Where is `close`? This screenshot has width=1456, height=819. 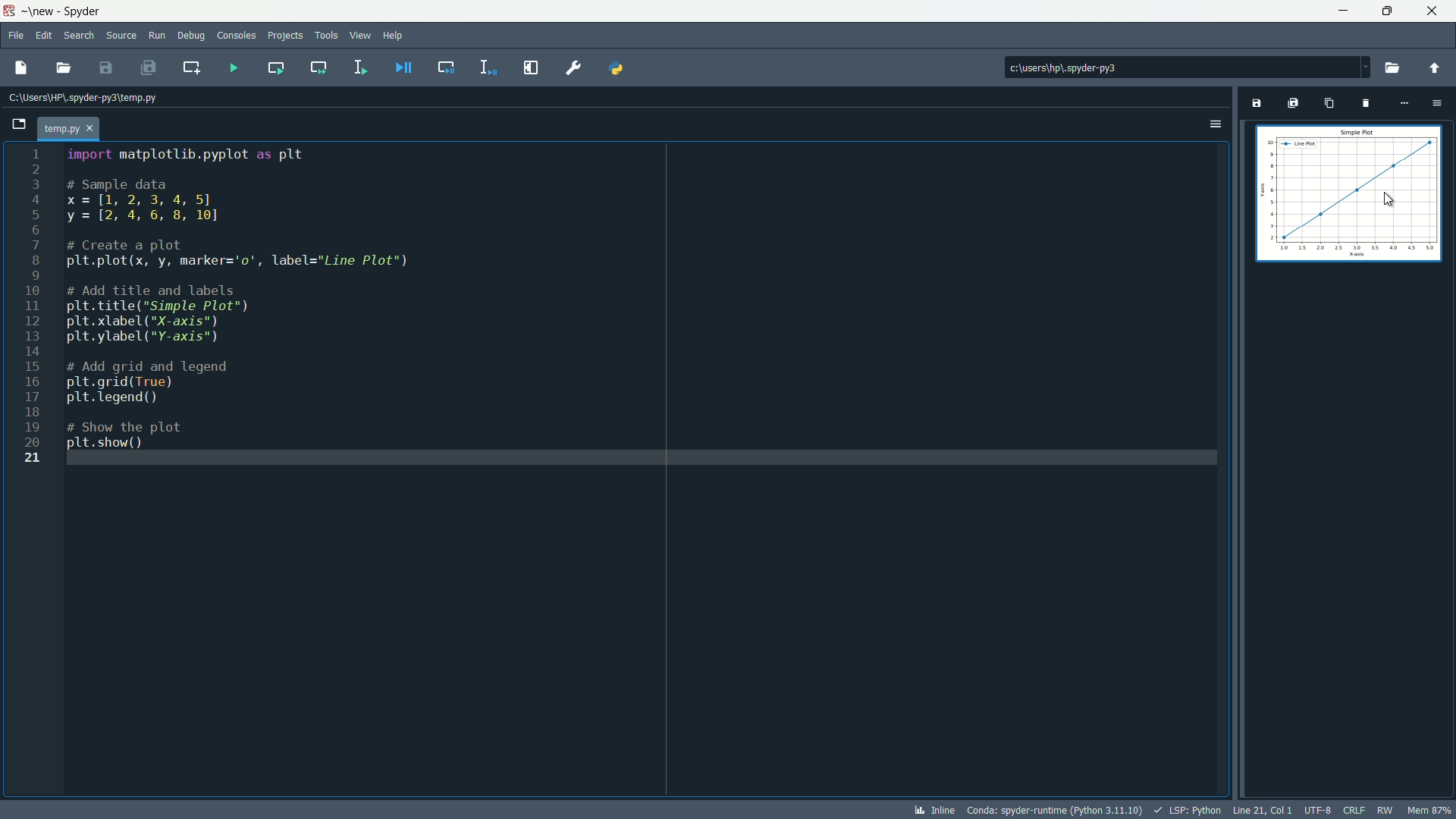 close is located at coordinates (320, 103).